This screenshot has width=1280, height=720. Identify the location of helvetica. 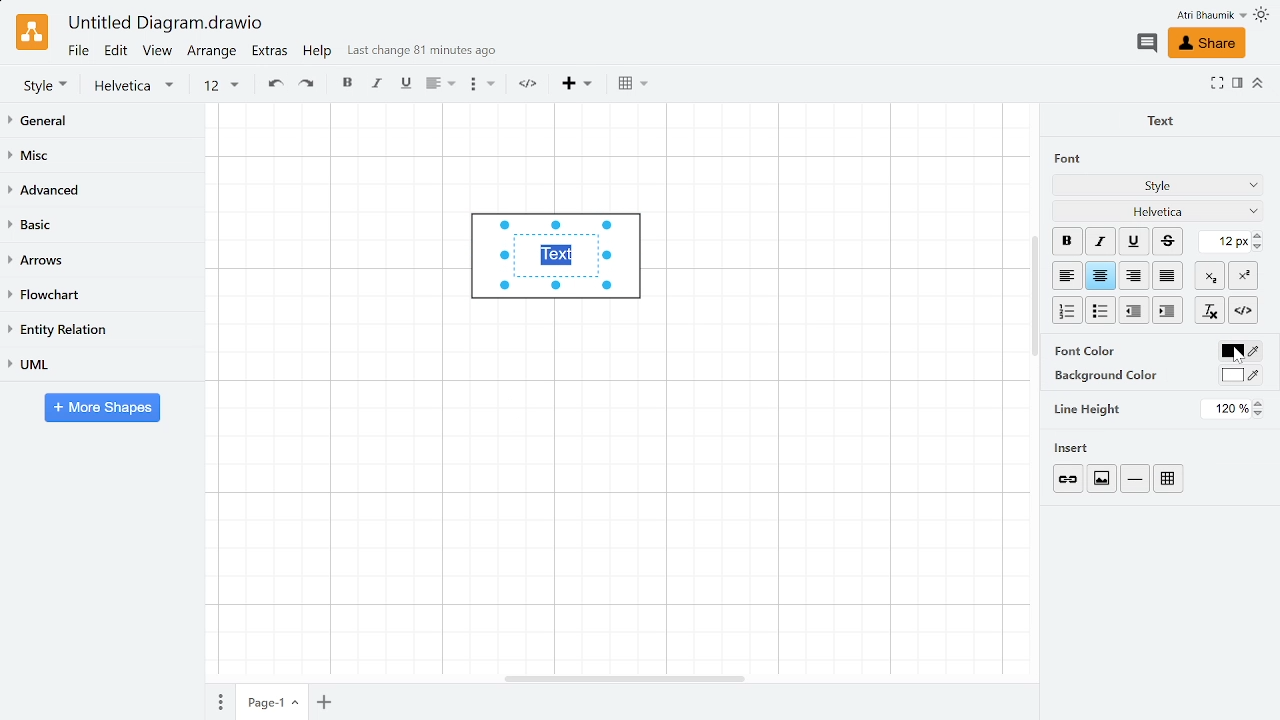
(138, 86).